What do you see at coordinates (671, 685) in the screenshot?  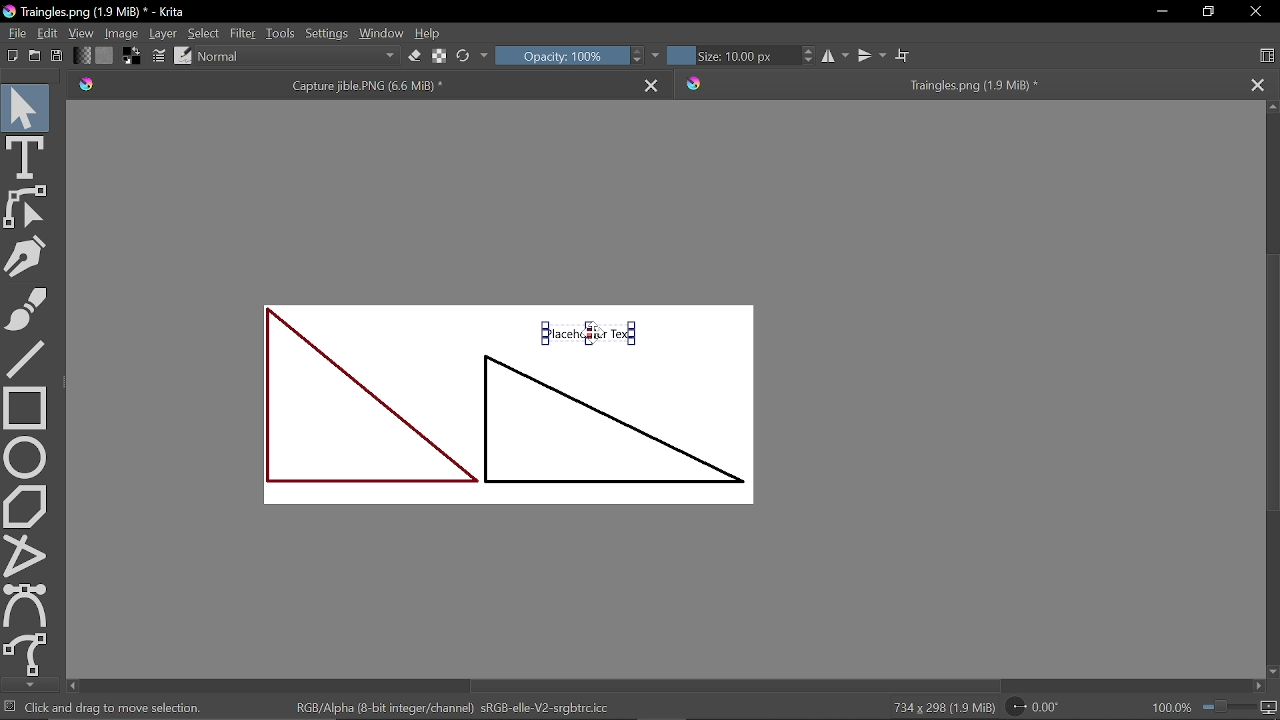 I see `Horizontal scrollbar` at bounding box center [671, 685].